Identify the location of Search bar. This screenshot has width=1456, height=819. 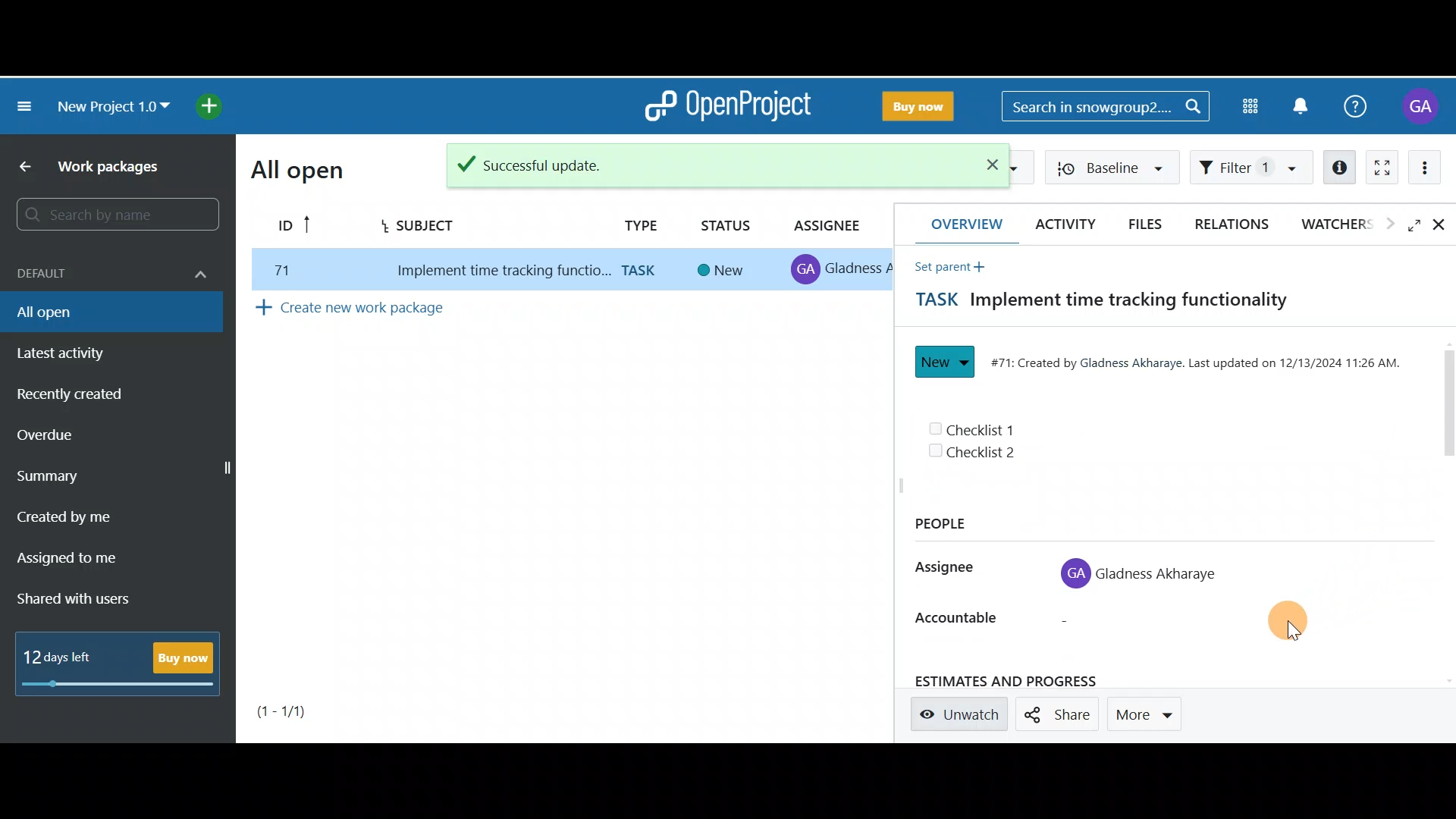
(1109, 106).